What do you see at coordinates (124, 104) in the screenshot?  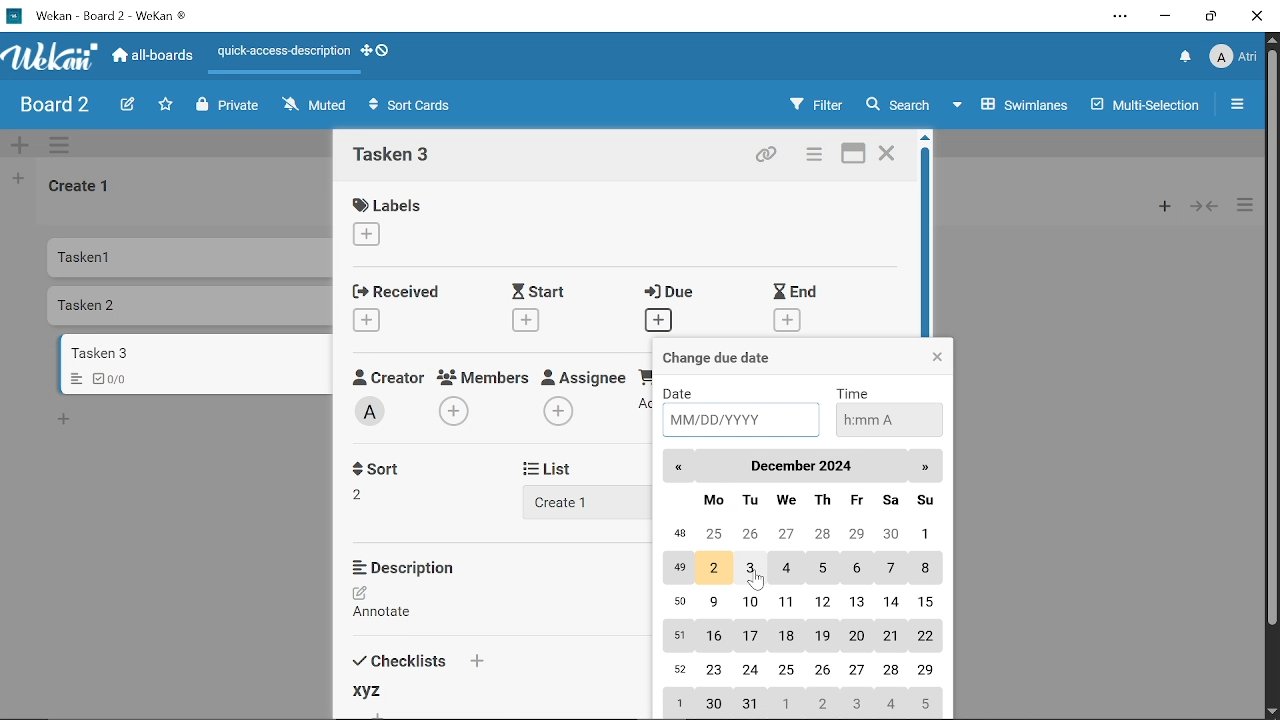 I see `Edit` at bounding box center [124, 104].